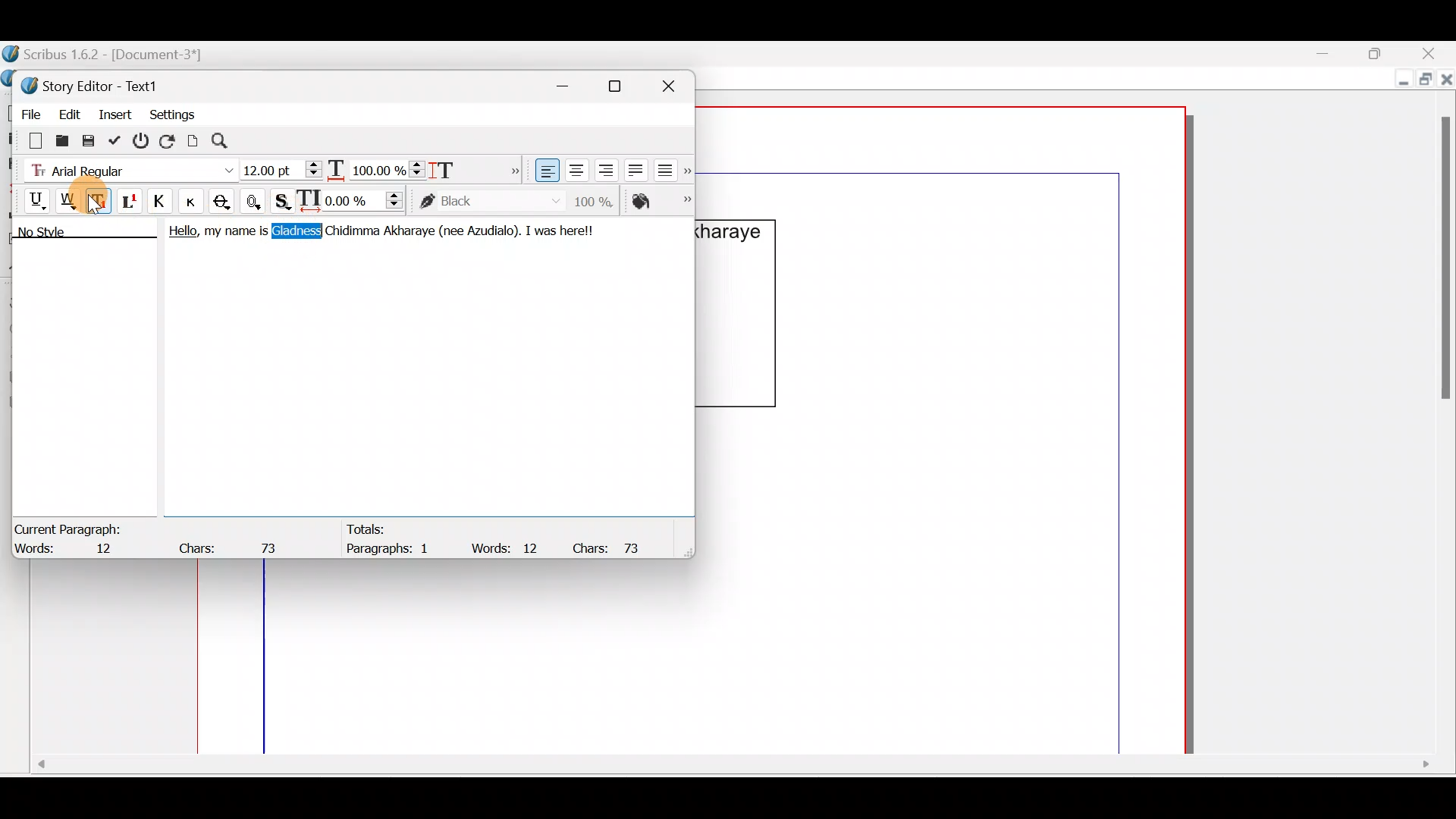 This screenshot has width=1456, height=819. Describe the element at coordinates (409, 231) in the screenshot. I see `Akharaye` at that location.